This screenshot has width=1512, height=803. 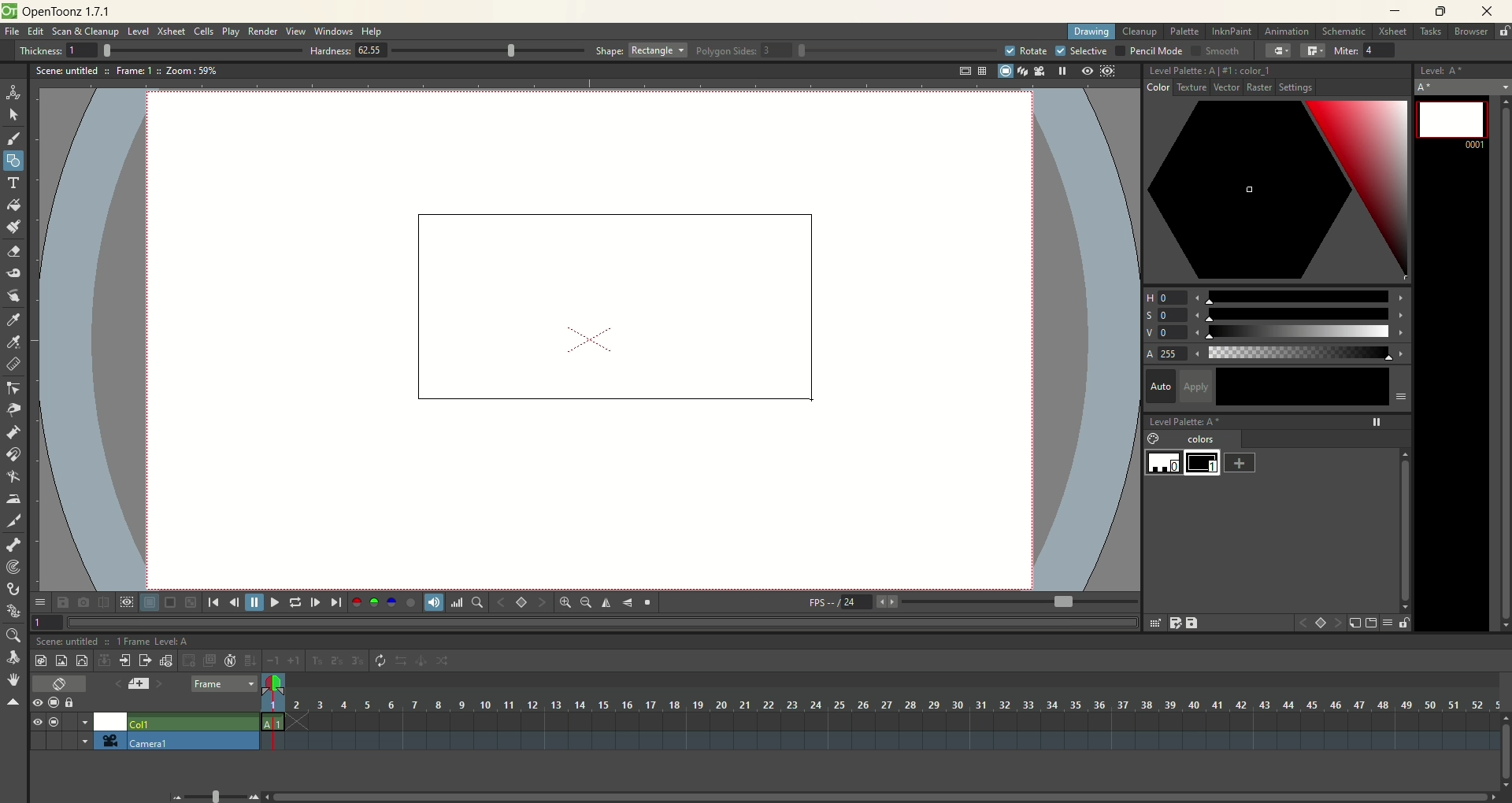 What do you see at coordinates (13, 294) in the screenshot?
I see `finger tool` at bounding box center [13, 294].